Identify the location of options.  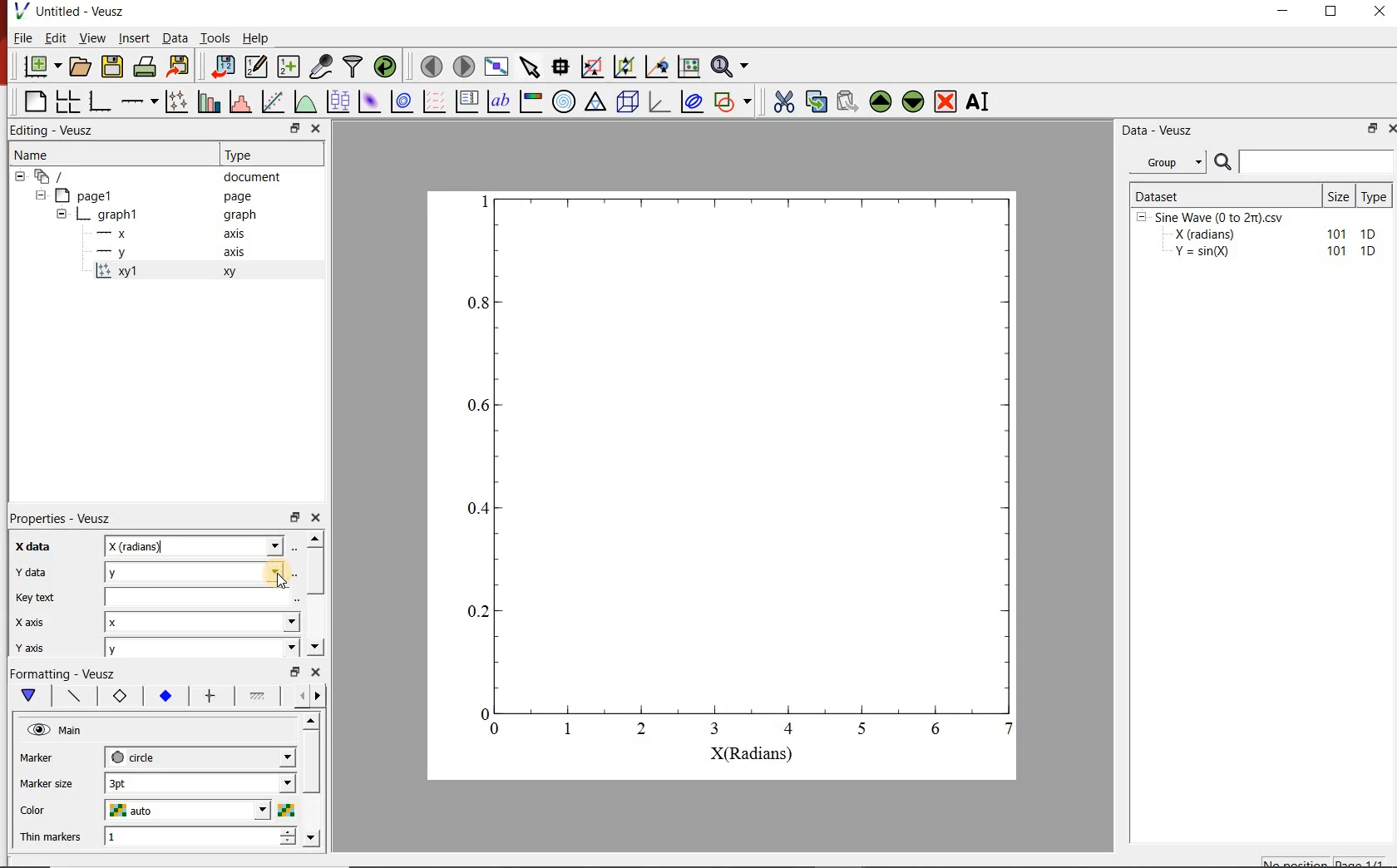
(208, 697).